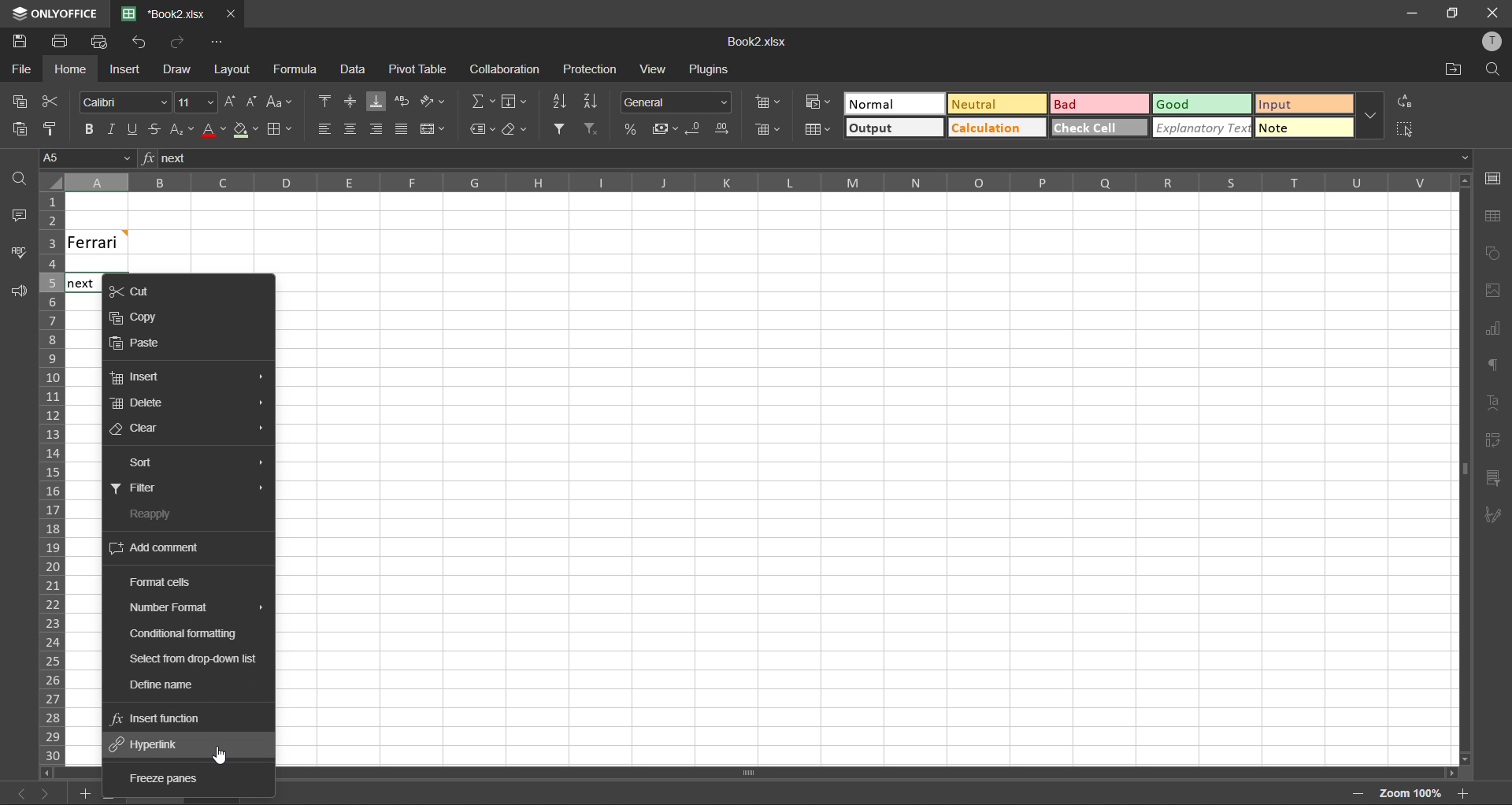  Describe the element at coordinates (86, 158) in the screenshot. I see `cell address` at that location.